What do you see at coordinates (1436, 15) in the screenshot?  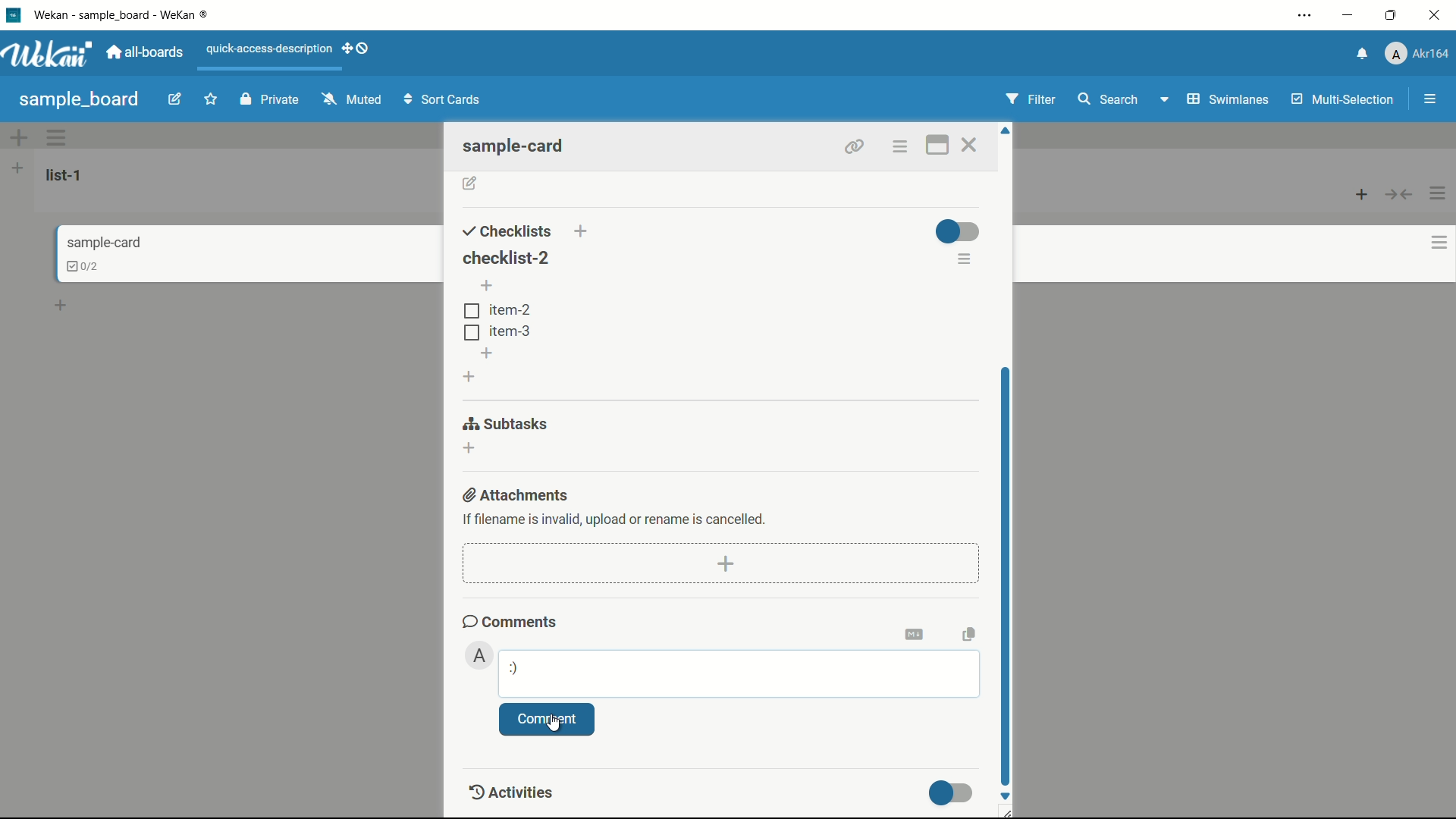 I see `close app` at bounding box center [1436, 15].